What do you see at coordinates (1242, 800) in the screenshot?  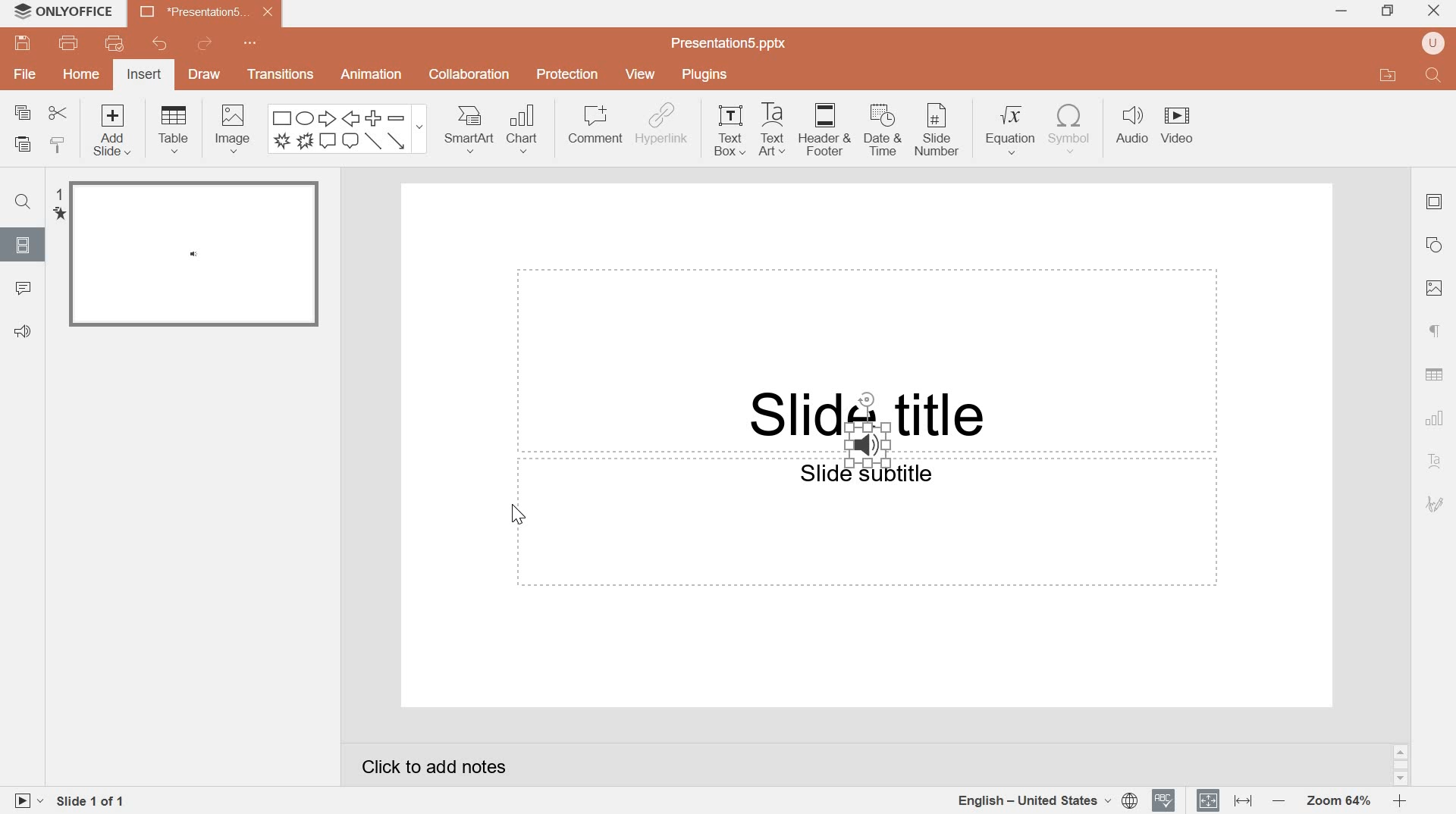 I see `Fit to width` at bounding box center [1242, 800].